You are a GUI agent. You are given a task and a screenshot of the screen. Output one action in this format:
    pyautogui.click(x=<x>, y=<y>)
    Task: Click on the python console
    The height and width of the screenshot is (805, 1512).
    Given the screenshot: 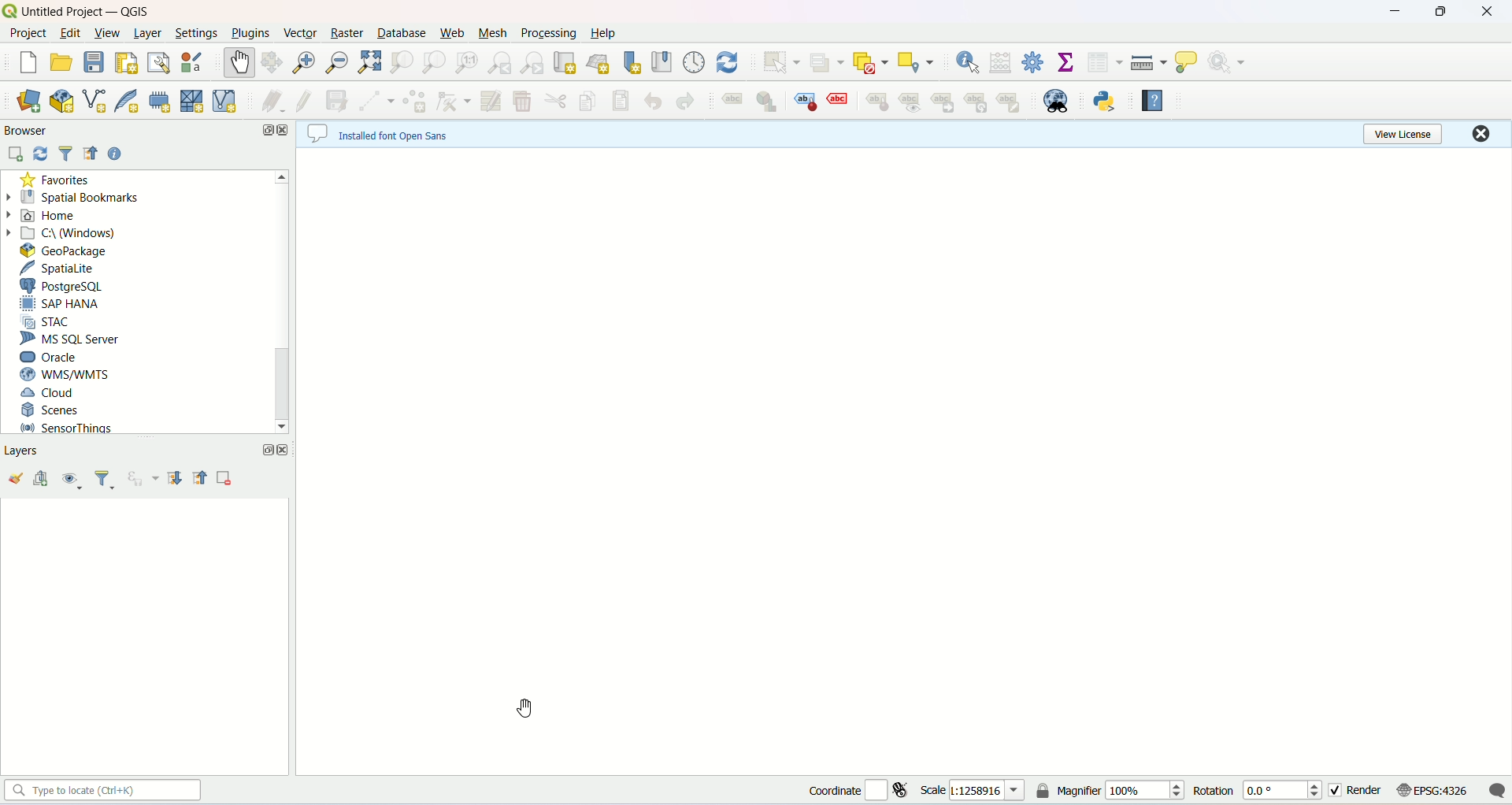 What is the action you would take?
    pyautogui.click(x=1104, y=100)
    